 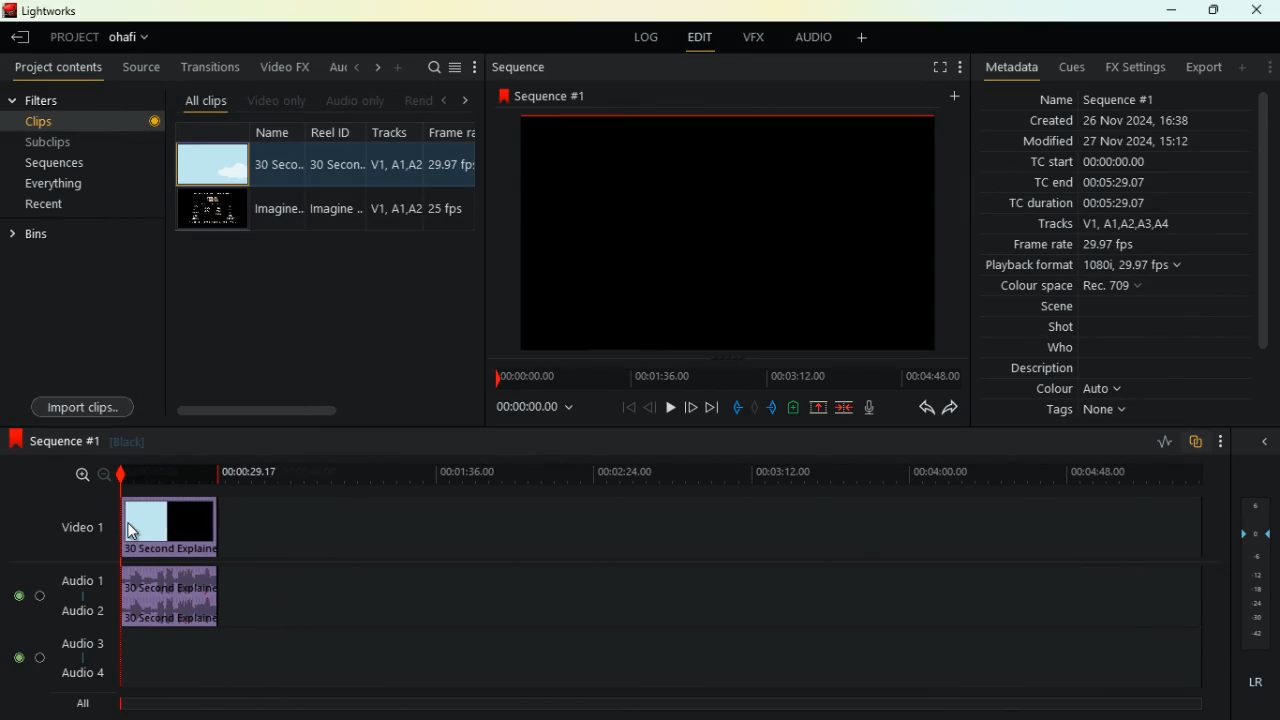 I want to click on au, so click(x=334, y=69).